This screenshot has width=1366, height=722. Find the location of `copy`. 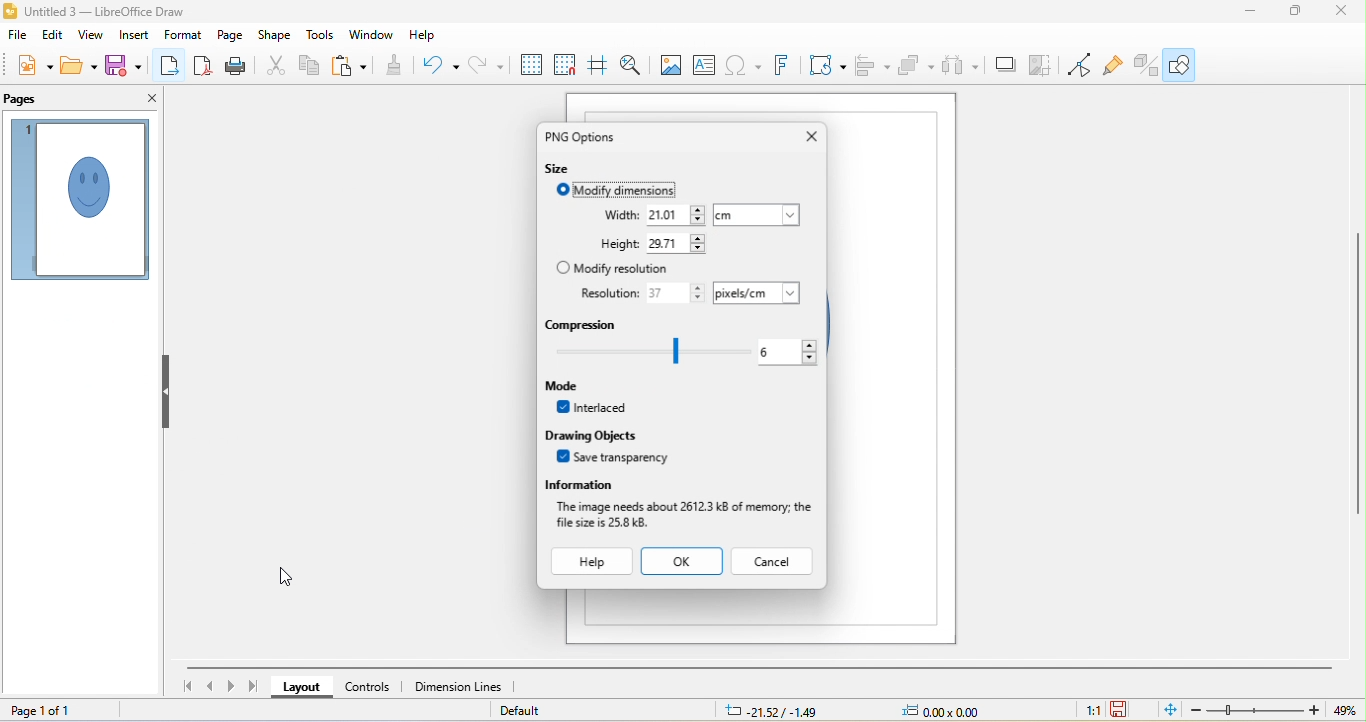

copy is located at coordinates (307, 64).